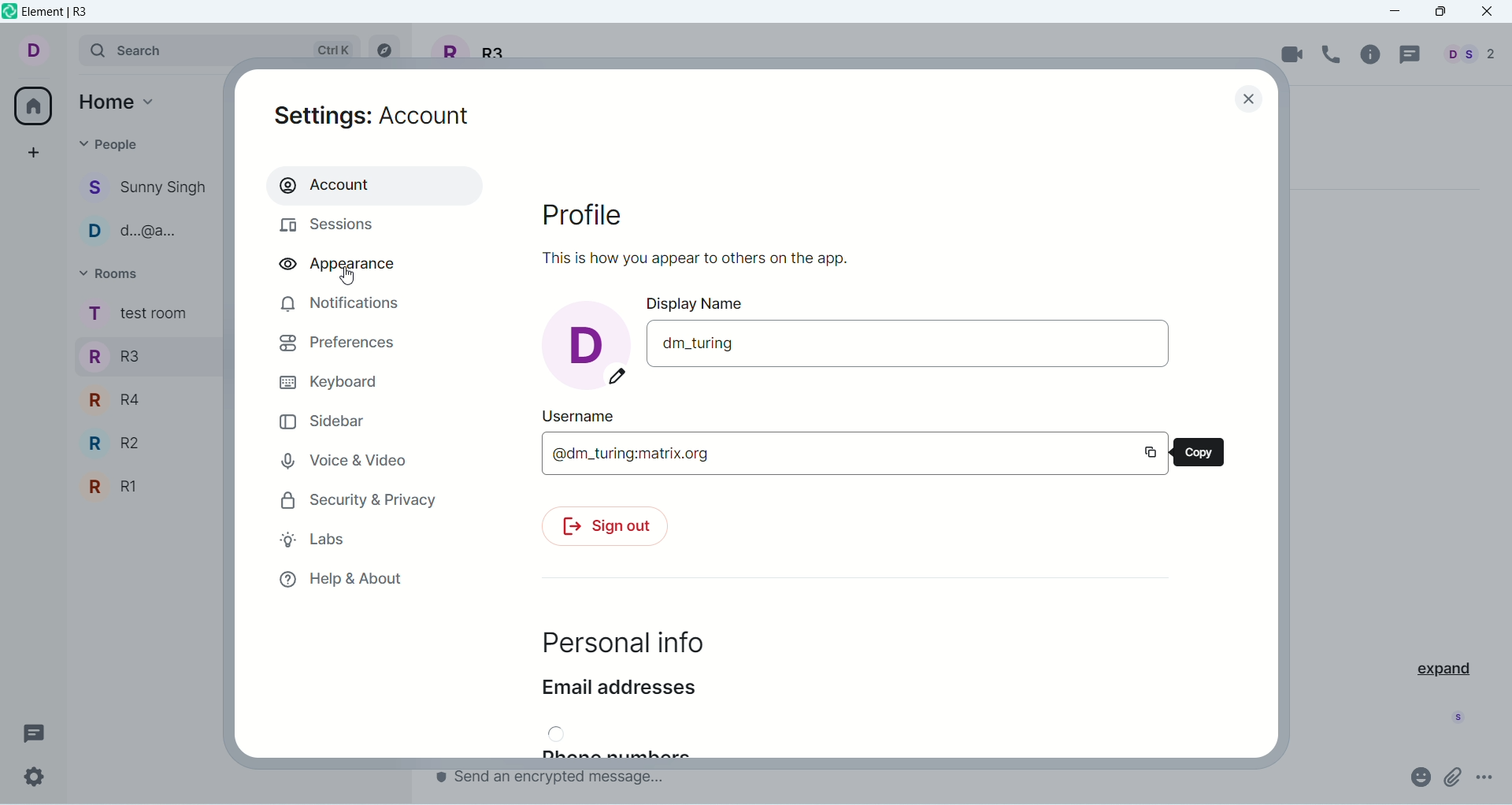  I want to click on username, so click(585, 417).